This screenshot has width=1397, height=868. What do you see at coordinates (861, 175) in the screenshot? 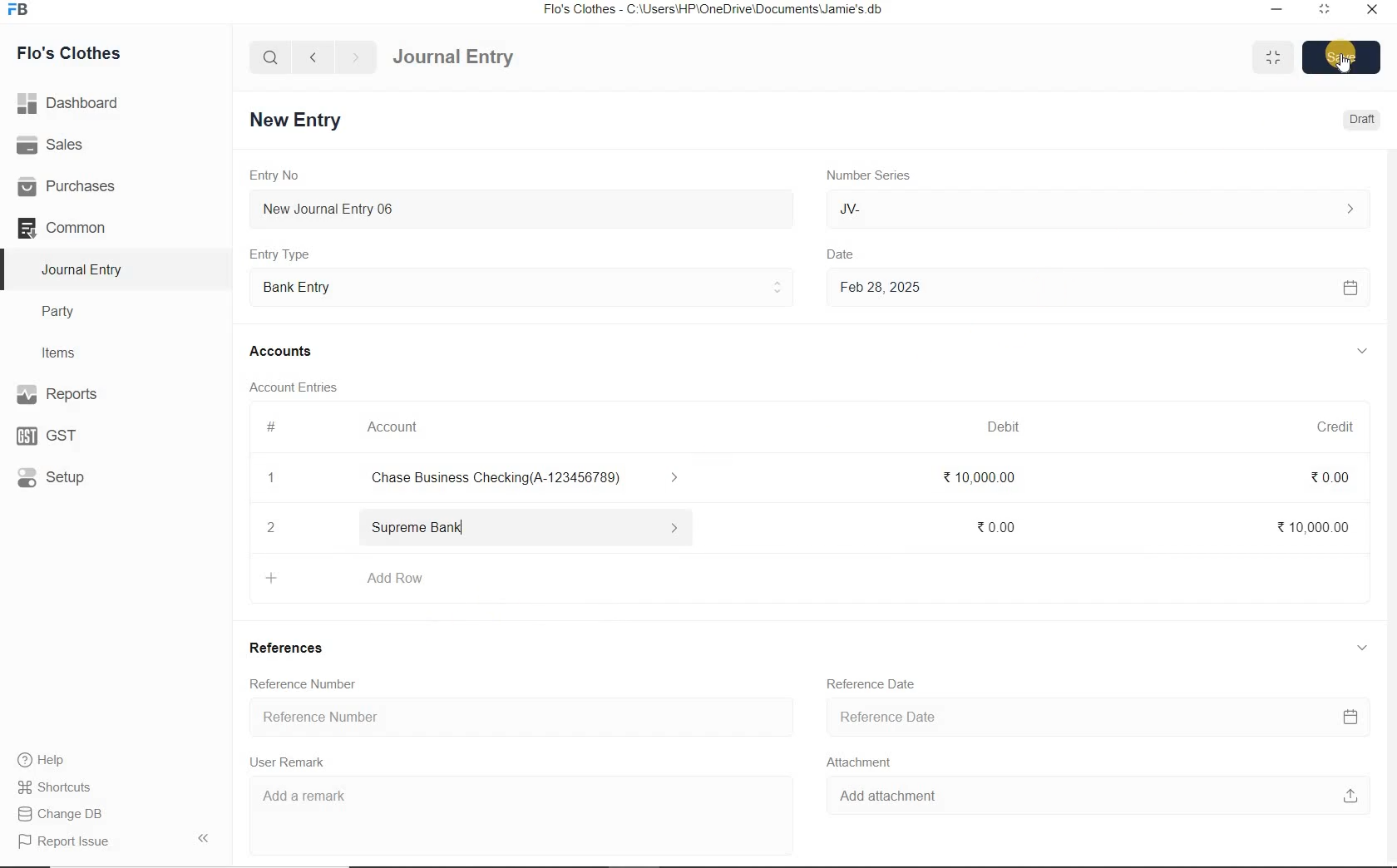
I see `Number Series` at bounding box center [861, 175].